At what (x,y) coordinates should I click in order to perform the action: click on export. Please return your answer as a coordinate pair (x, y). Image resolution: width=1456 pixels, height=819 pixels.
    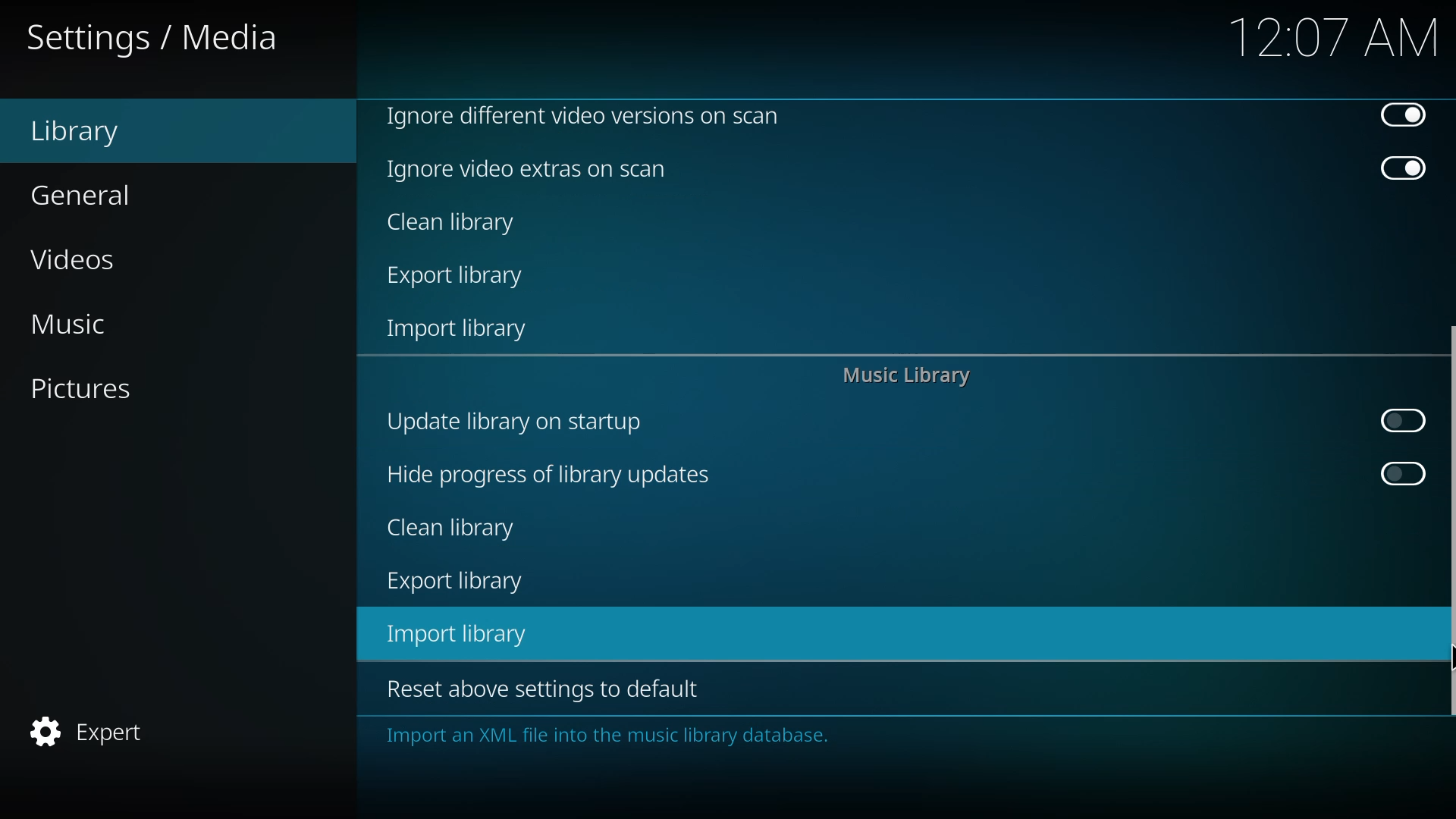
    Looking at the image, I should click on (460, 278).